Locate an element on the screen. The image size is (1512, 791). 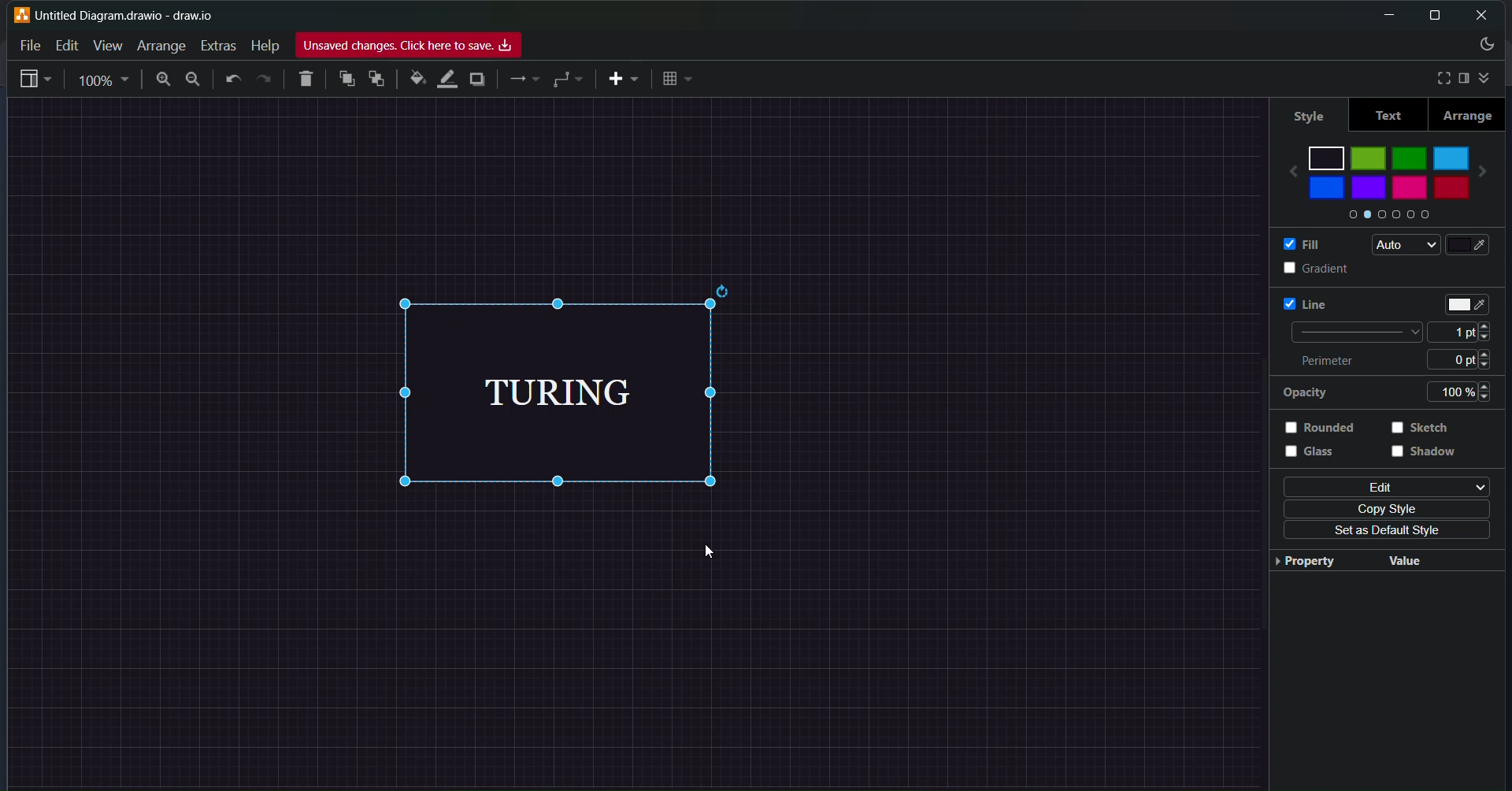
Edit is located at coordinates (63, 45).